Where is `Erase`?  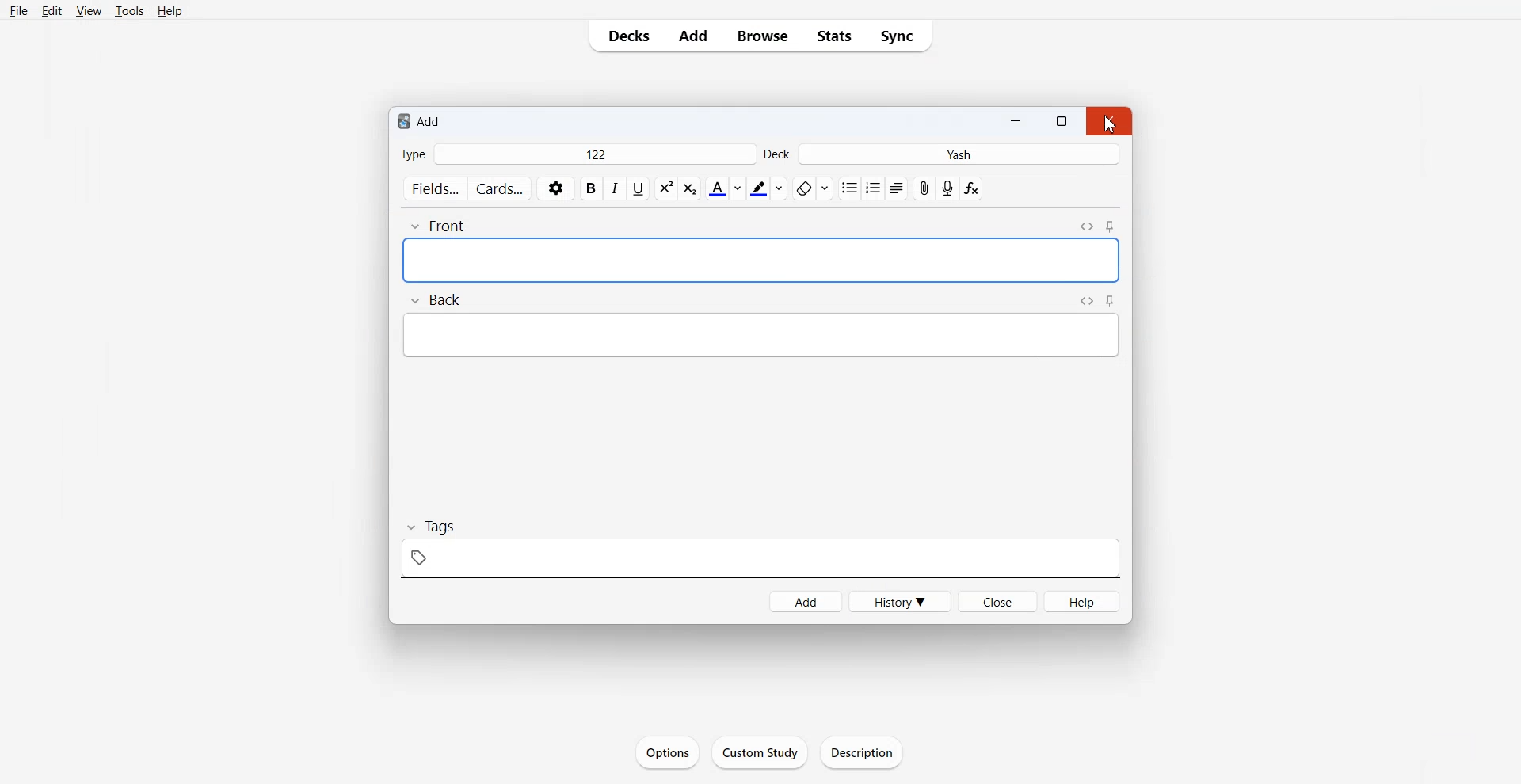
Erase is located at coordinates (813, 188).